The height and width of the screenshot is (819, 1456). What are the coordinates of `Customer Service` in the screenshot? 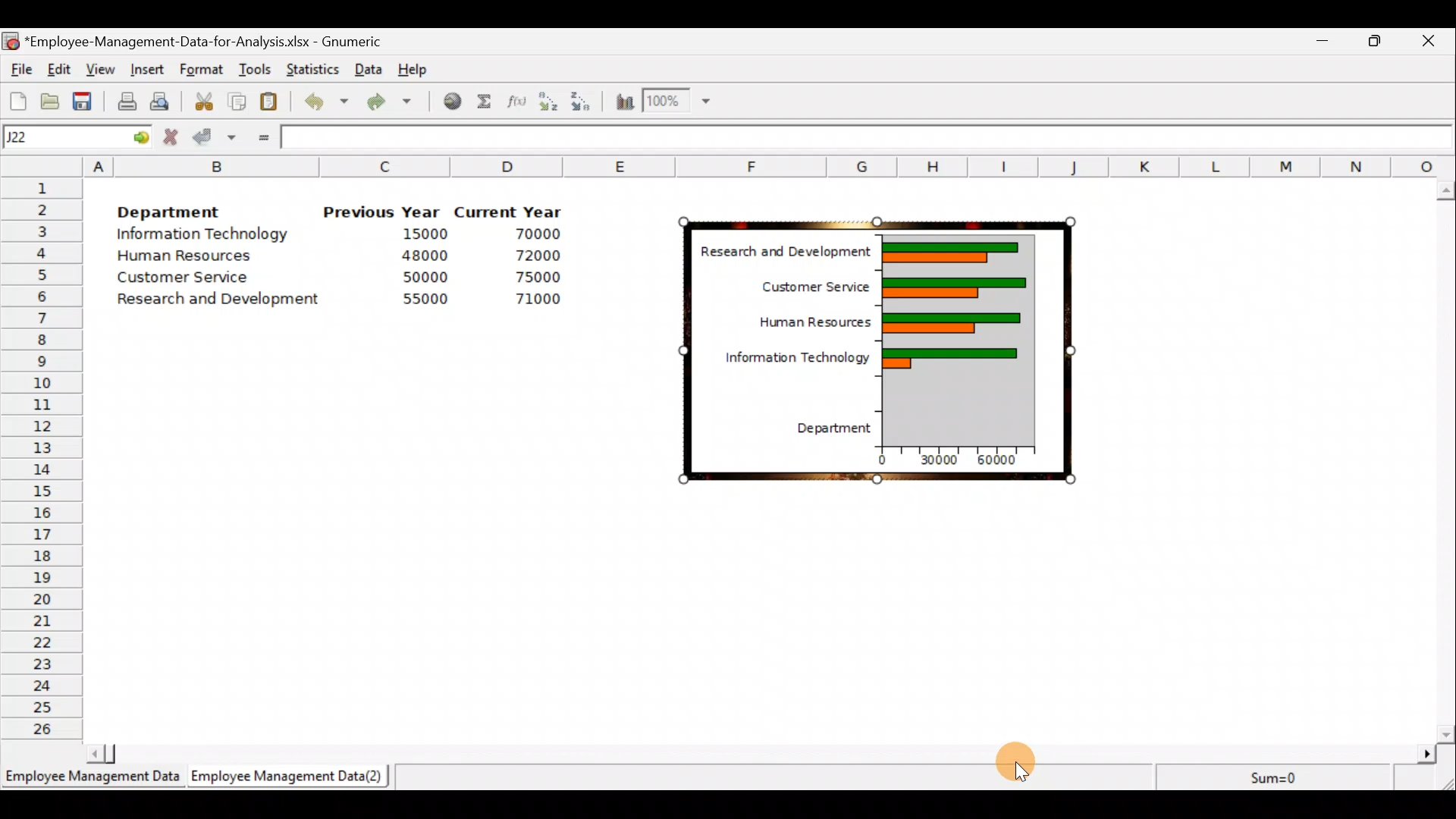 It's located at (806, 283).